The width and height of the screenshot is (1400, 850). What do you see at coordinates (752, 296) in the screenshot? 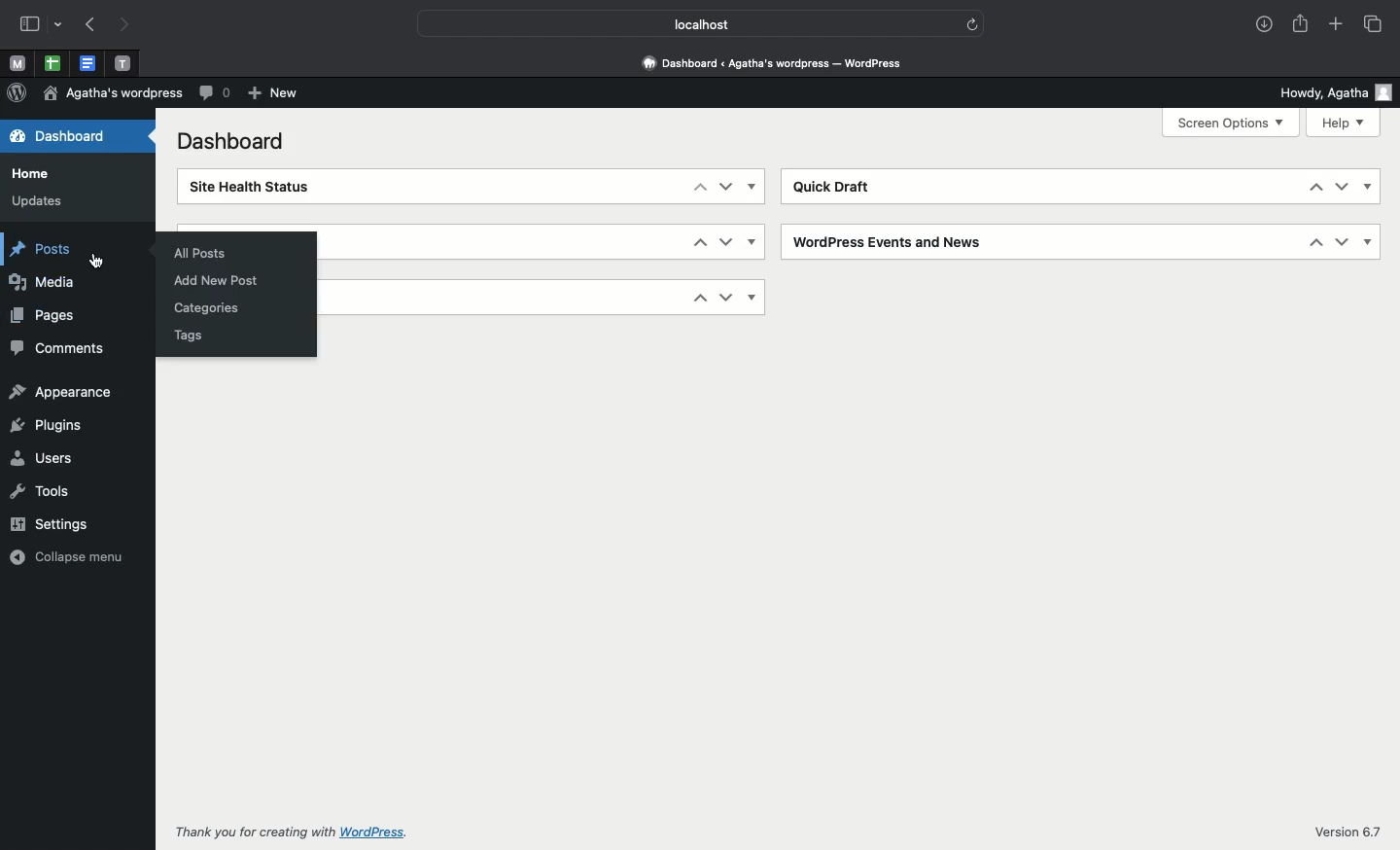
I see `Hide` at bounding box center [752, 296].